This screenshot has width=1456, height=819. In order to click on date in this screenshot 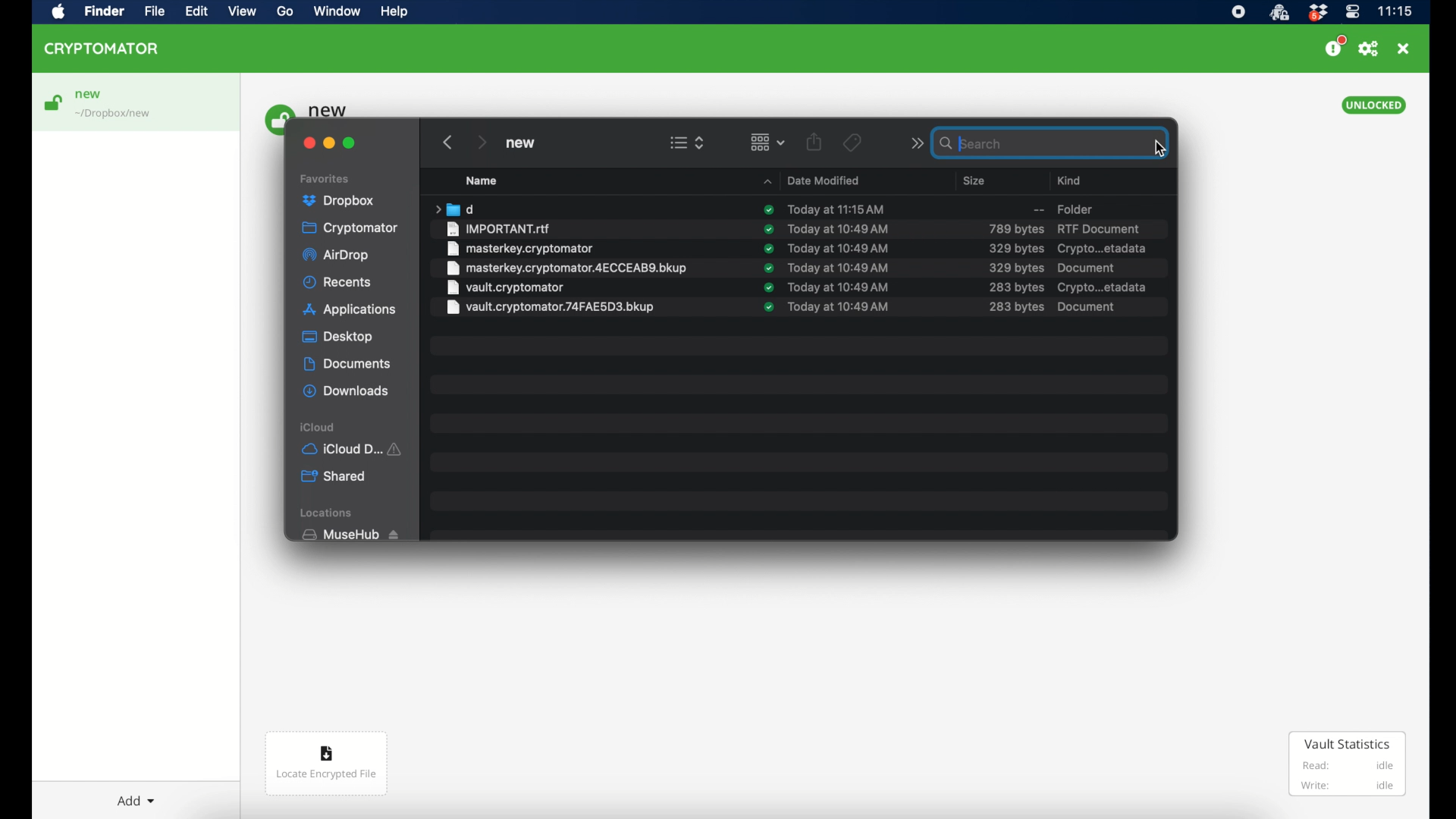, I will do `click(838, 229)`.